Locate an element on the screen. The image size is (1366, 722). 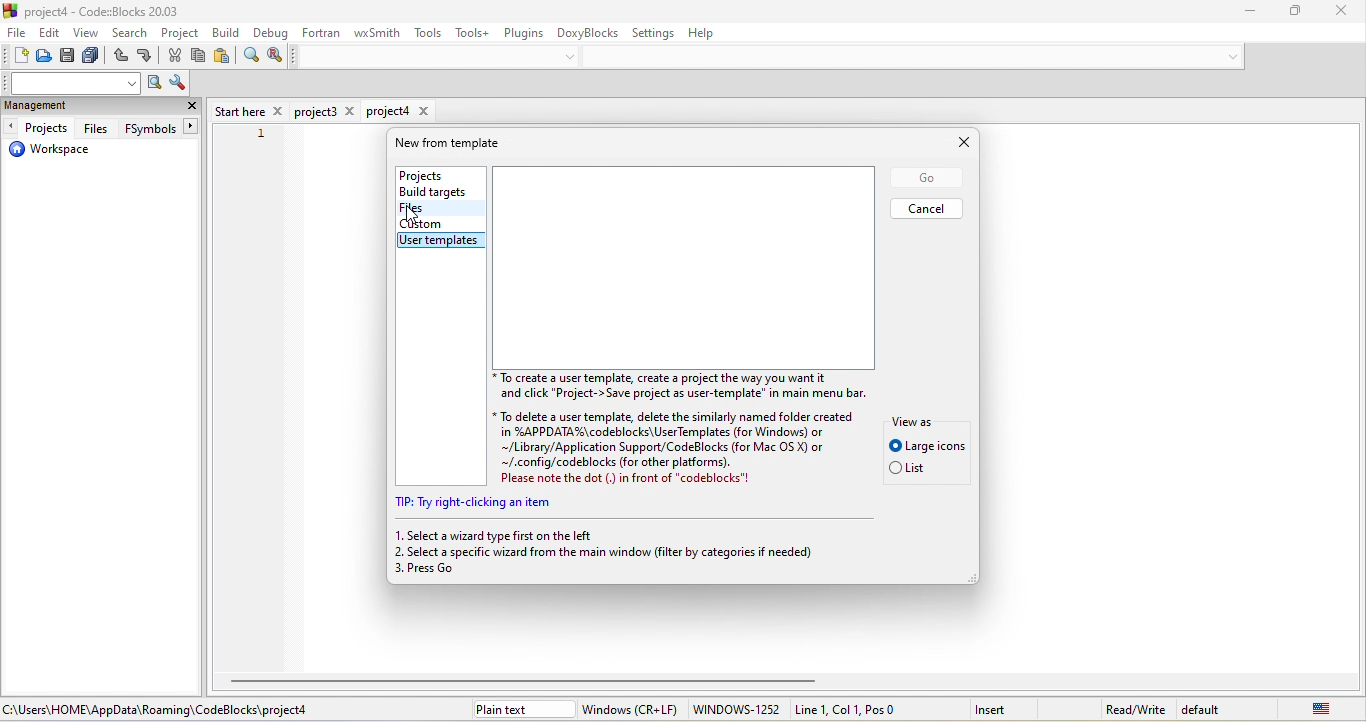
cancel is located at coordinates (928, 208).